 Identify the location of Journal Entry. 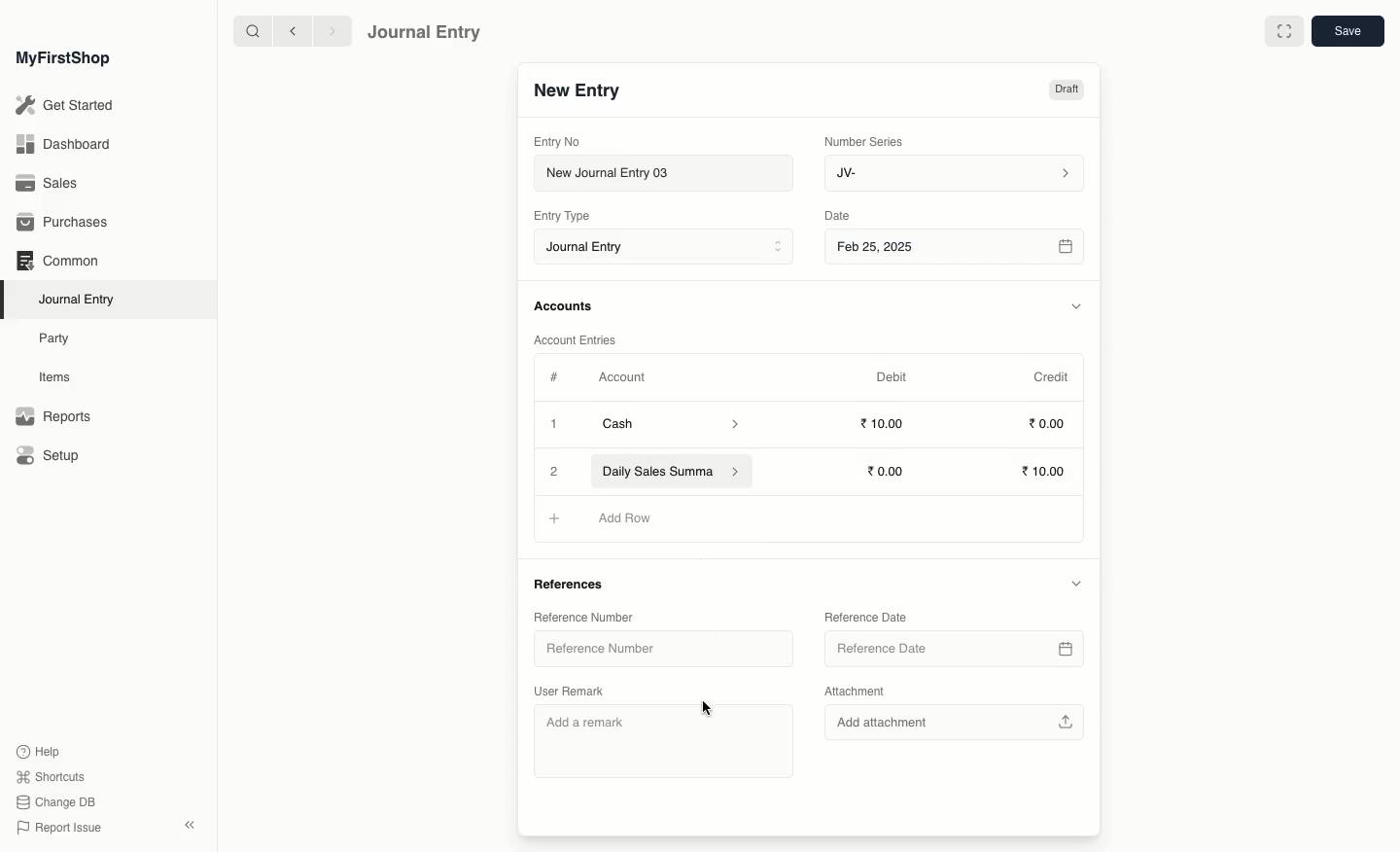
(669, 248).